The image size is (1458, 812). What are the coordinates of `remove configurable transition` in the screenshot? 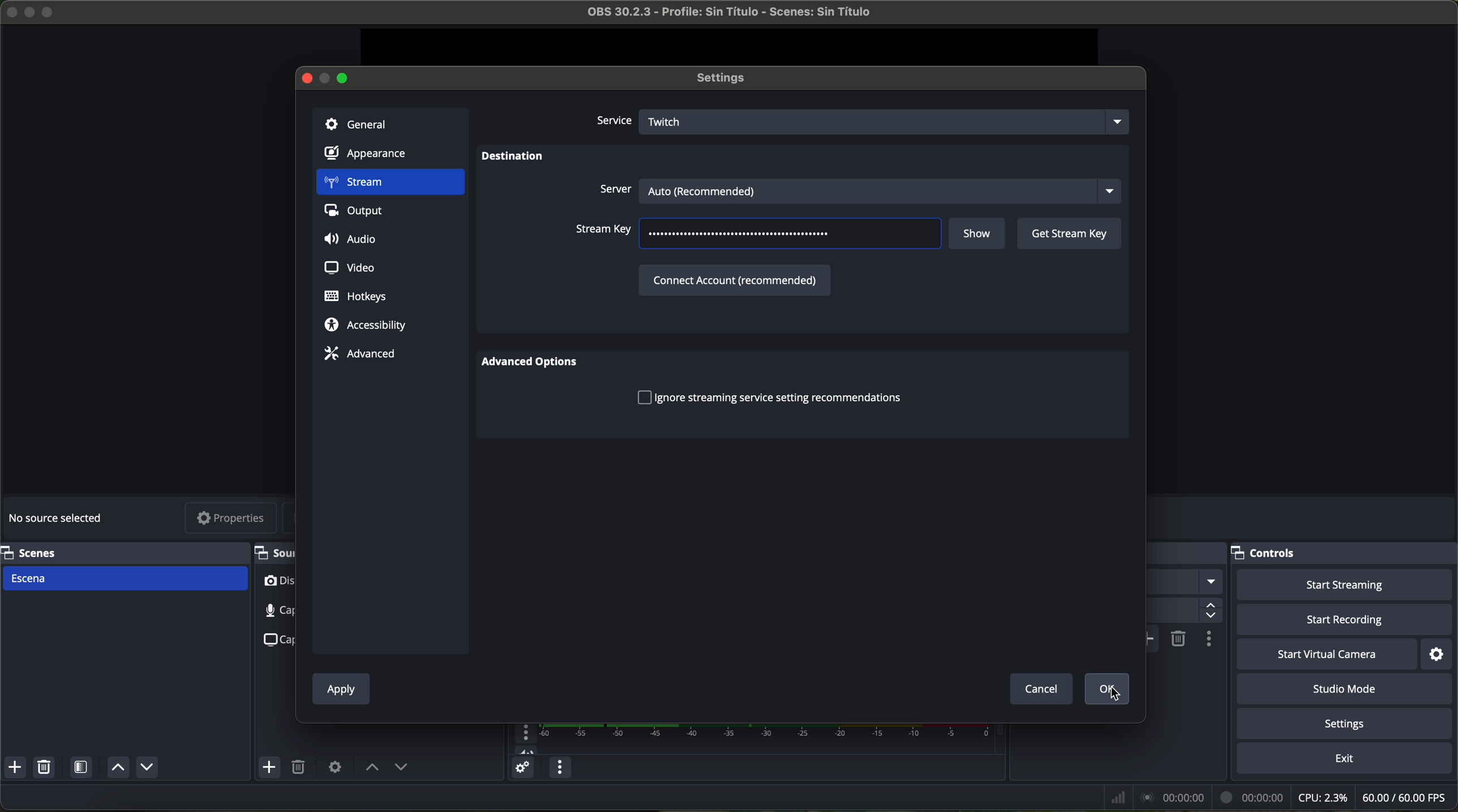 It's located at (1179, 638).